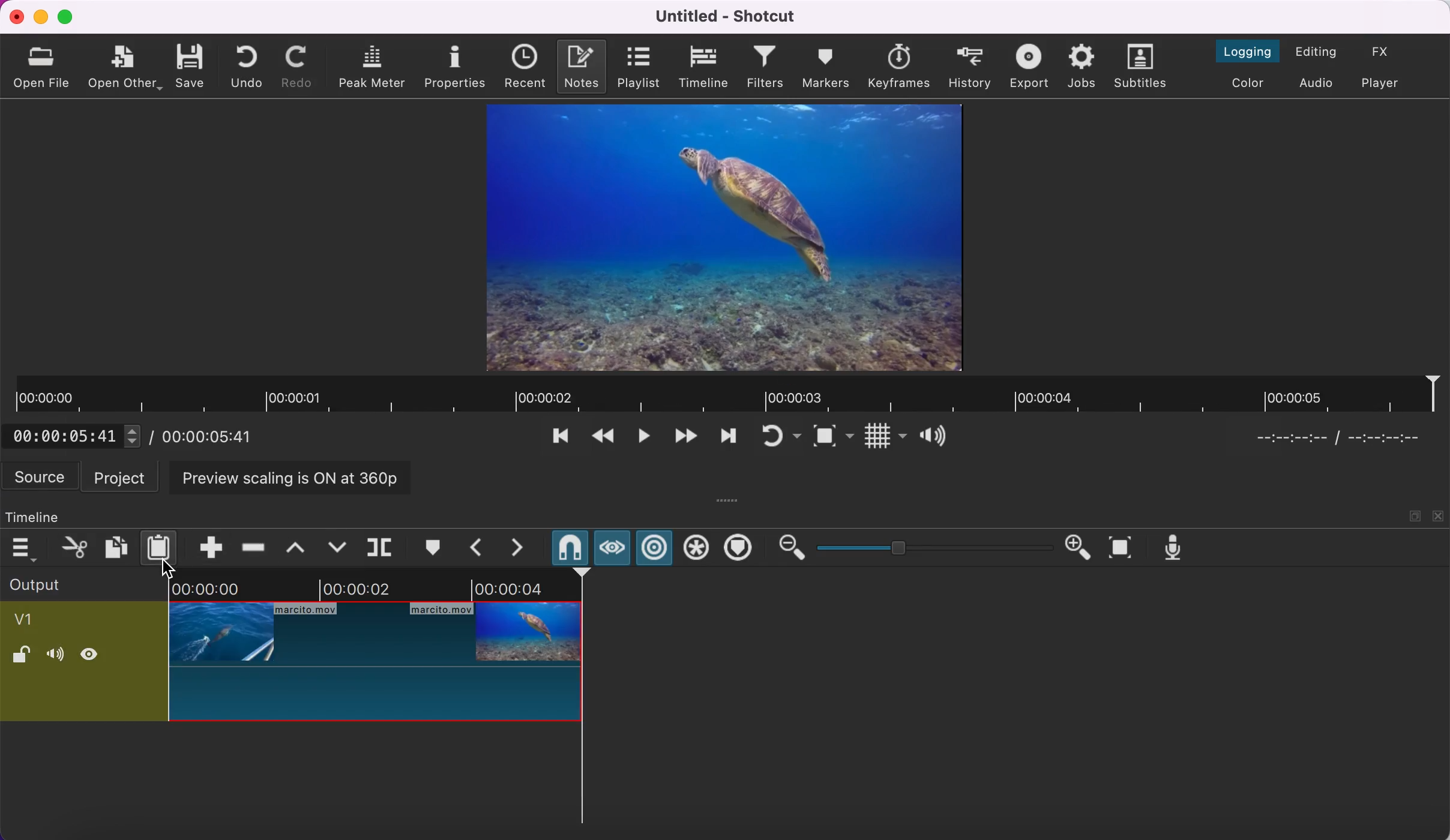 The width and height of the screenshot is (1450, 840). What do you see at coordinates (1439, 515) in the screenshot?
I see `close` at bounding box center [1439, 515].